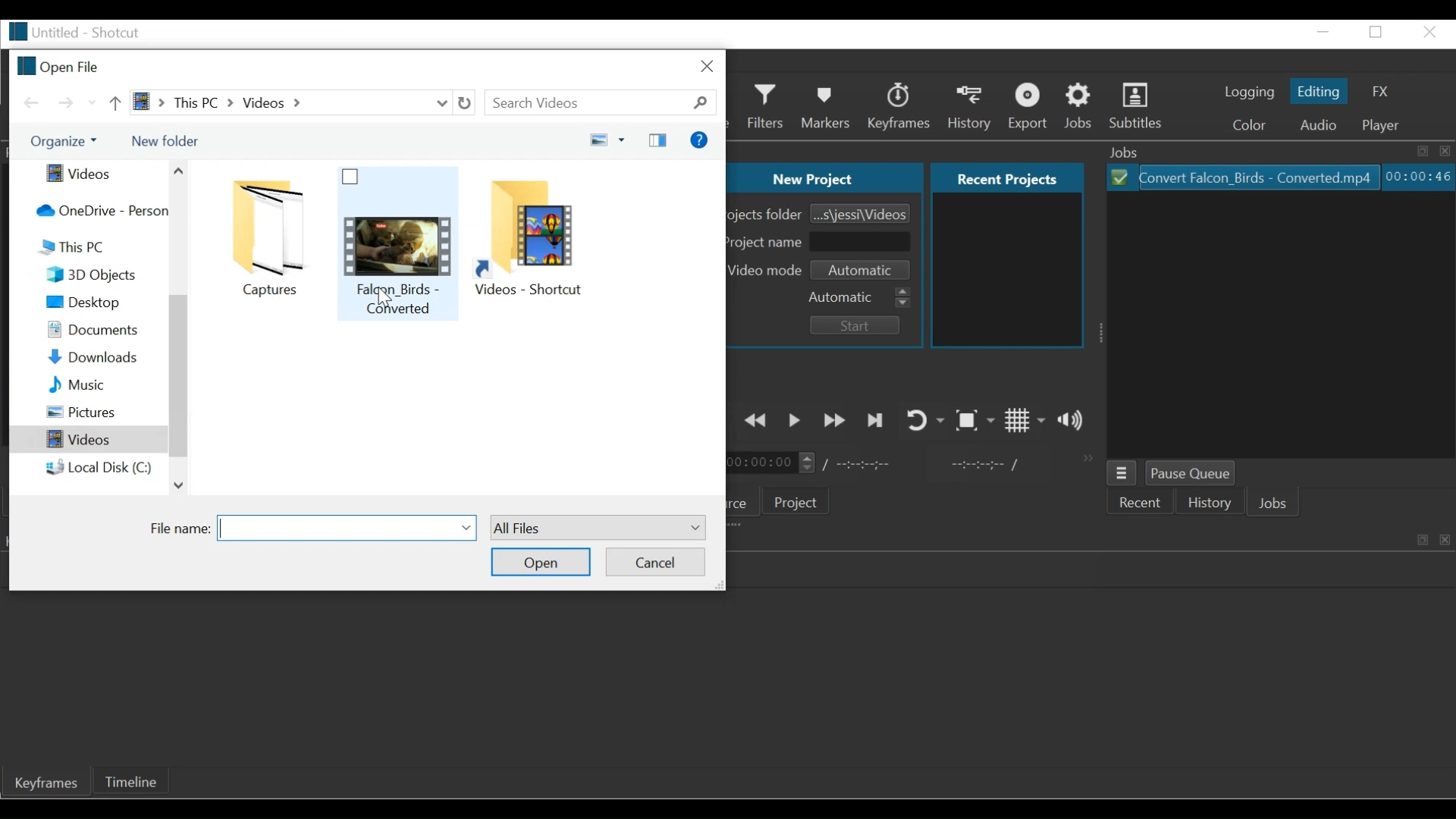  Describe the element at coordinates (99, 383) in the screenshot. I see `Music` at that location.